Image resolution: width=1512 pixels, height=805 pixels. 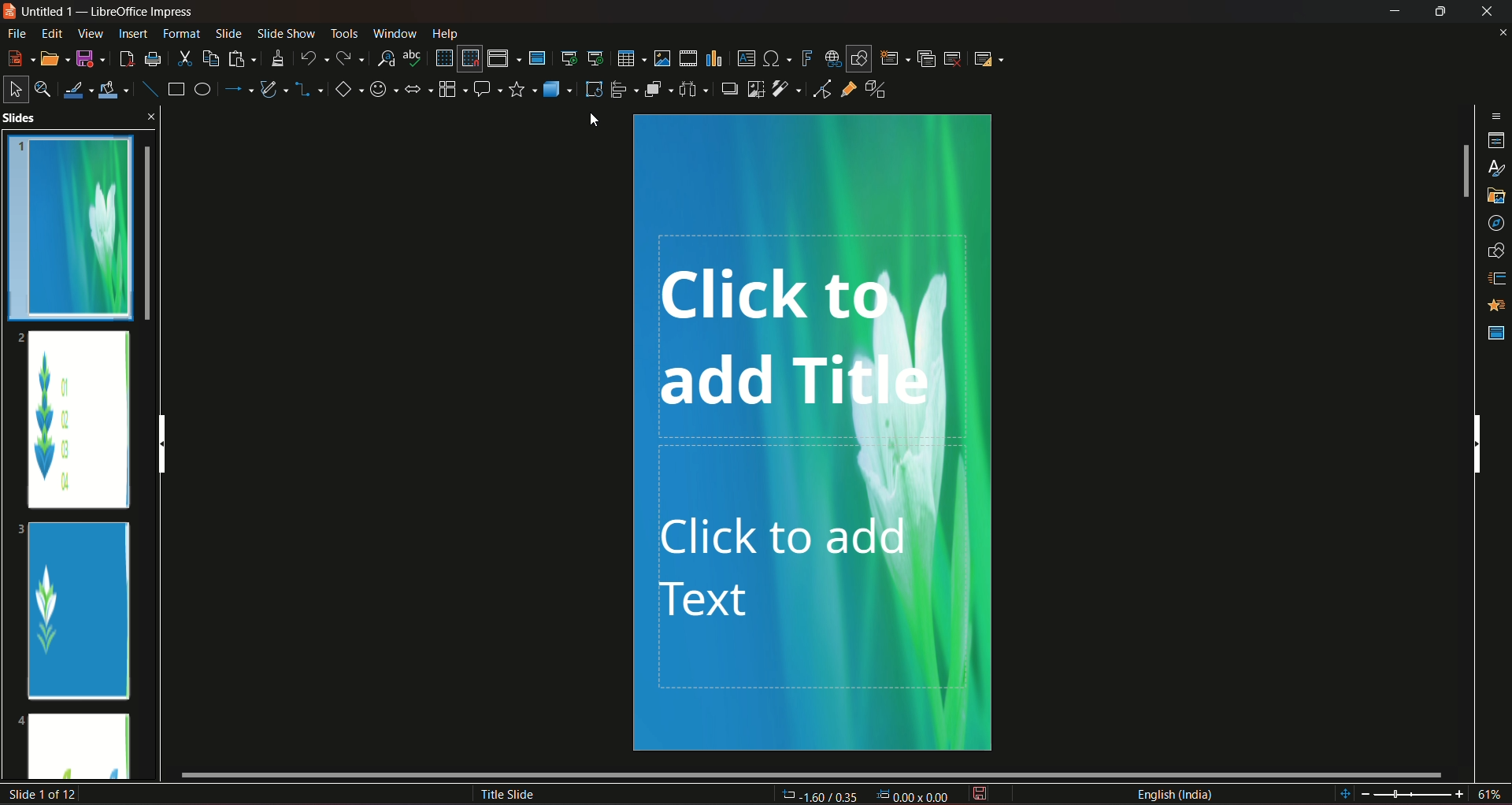 What do you see at coordinates (1492, 306) in the screenshot?
I see `animation` at bounding box center [1492, 306].